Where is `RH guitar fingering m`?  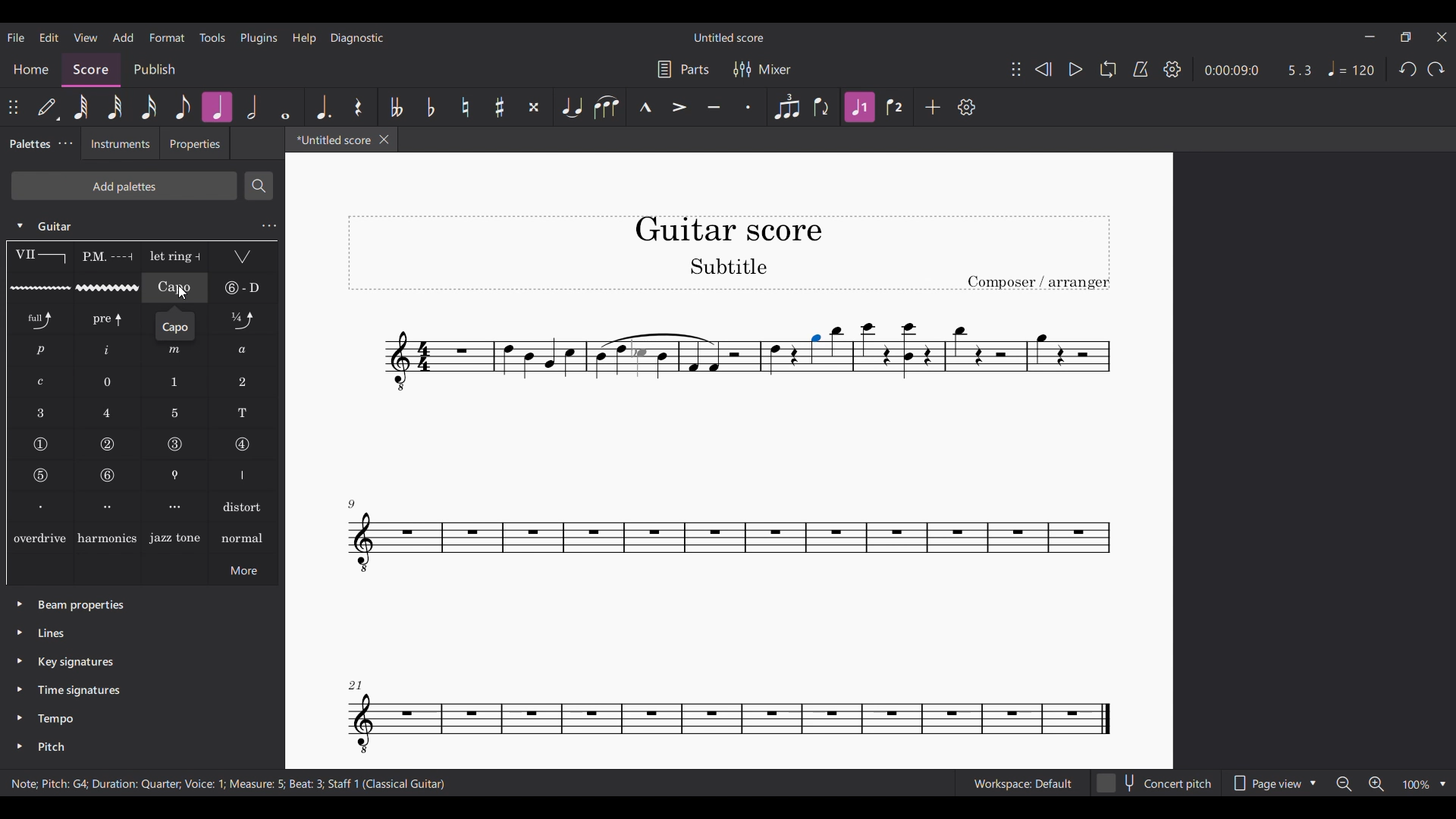
RH guitar fingering m is located at coordinates (175, 353).